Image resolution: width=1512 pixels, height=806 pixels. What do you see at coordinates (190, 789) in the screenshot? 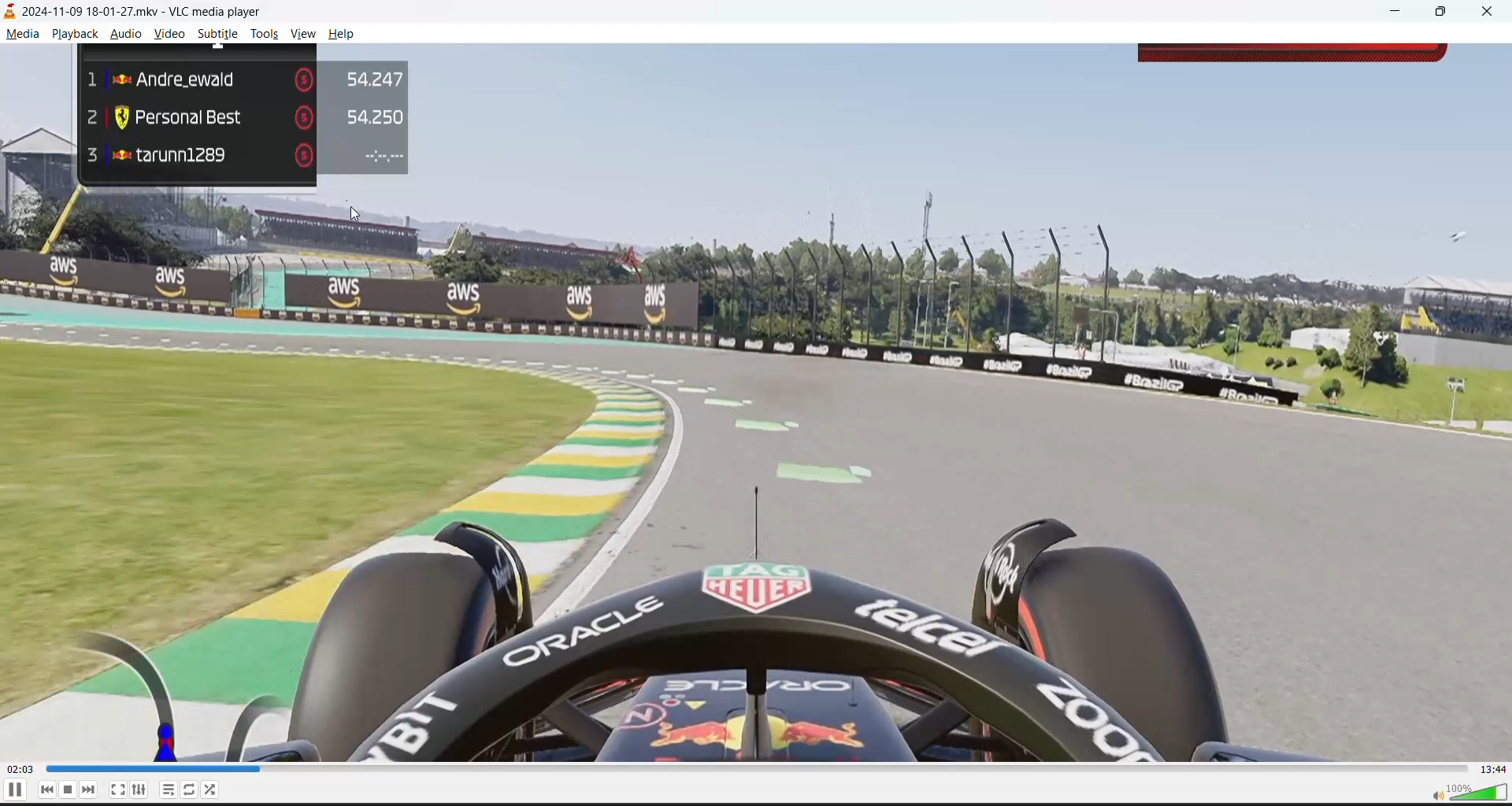
I see `toggle loop` at bounding box center [190, 789].